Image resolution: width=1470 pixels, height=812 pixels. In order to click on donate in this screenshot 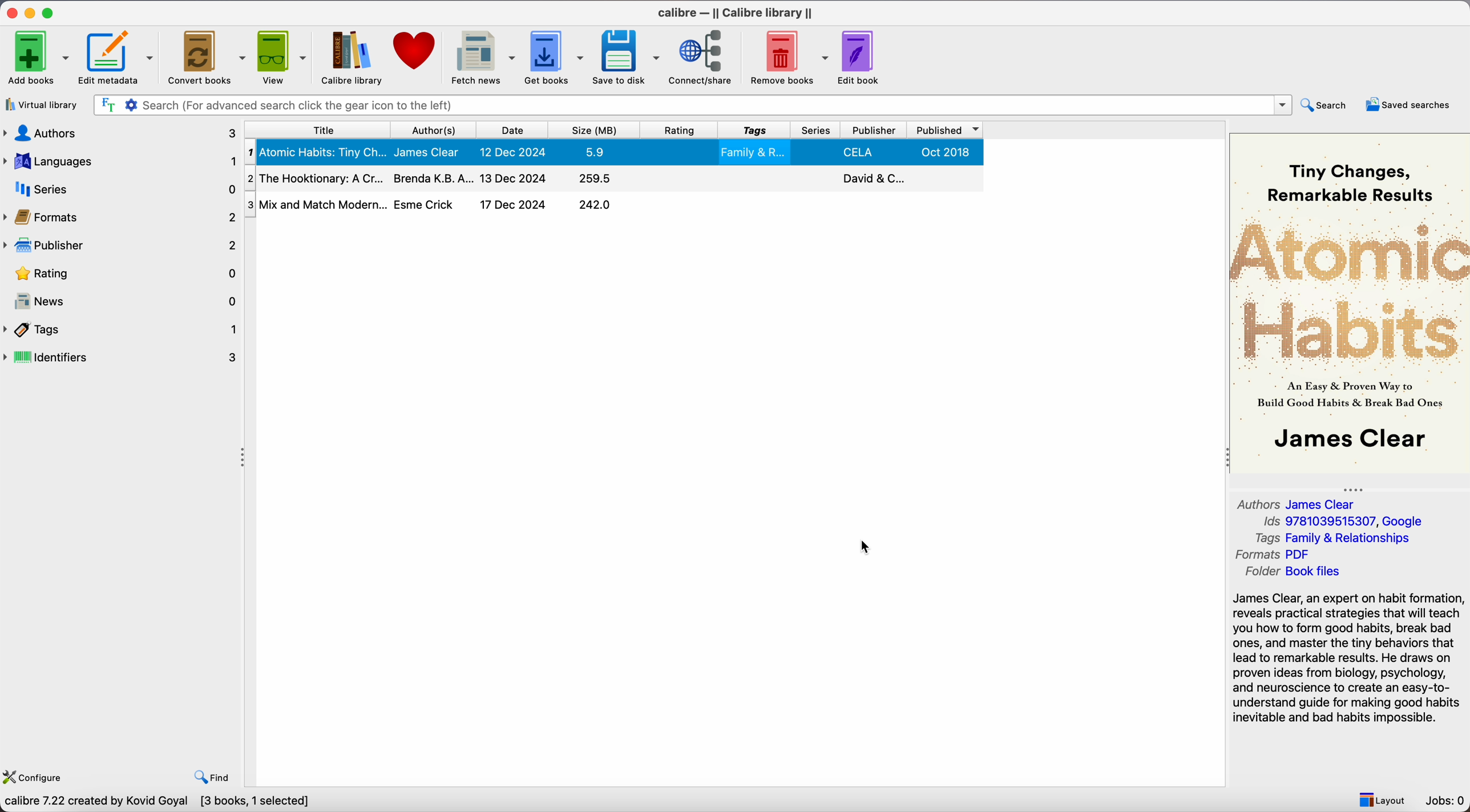, I will do `click(415, 49)`.